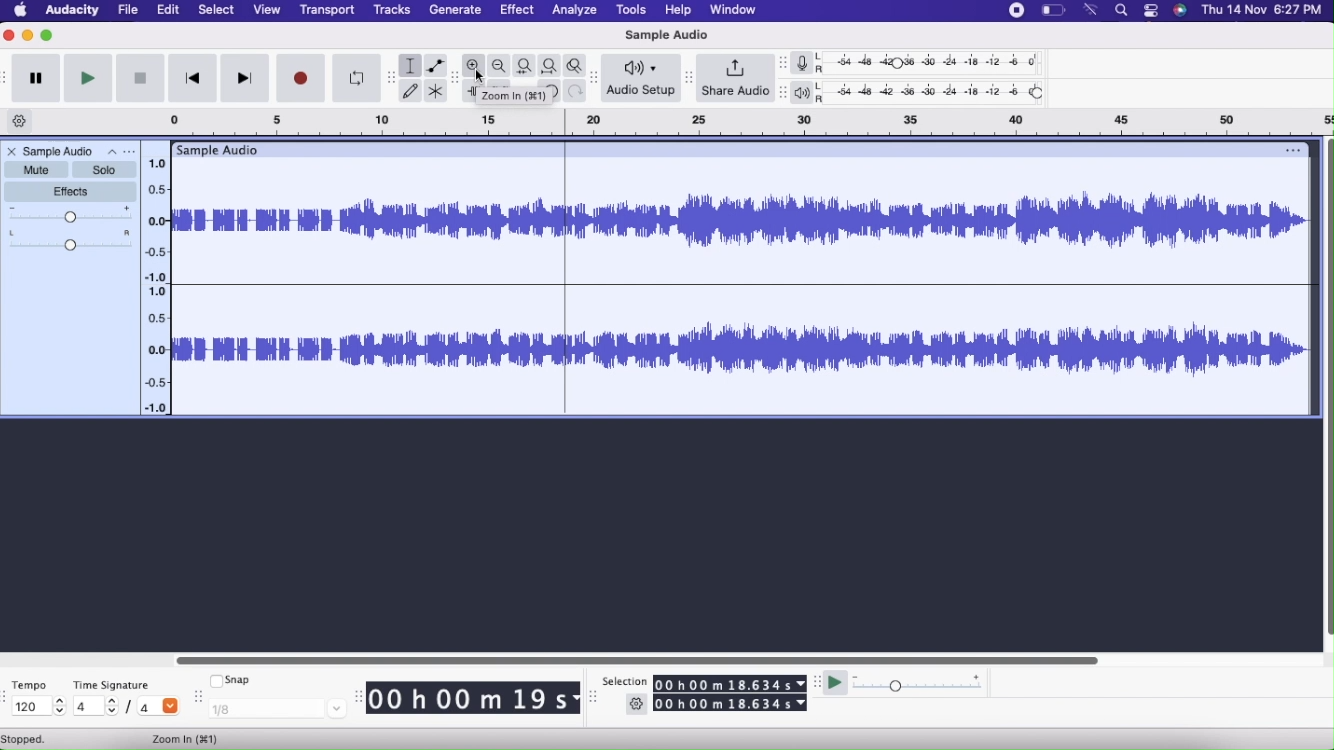 Image resolution: width=1334 pixels, height=750 pixels. What do you see at coordinates (524, 65) in the screenshot?
I see `Fit selection to width` at bounding box center [524, 65].